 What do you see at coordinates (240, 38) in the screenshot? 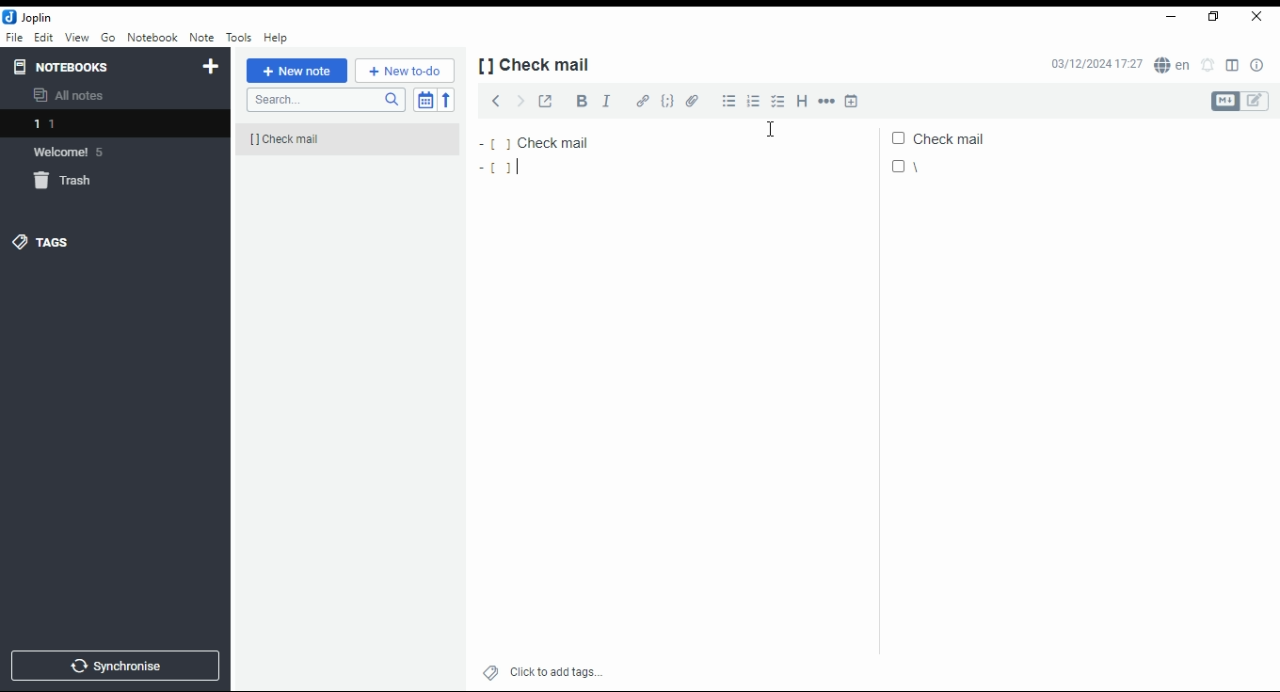
I see `tools` at bounding box center [240, 38].